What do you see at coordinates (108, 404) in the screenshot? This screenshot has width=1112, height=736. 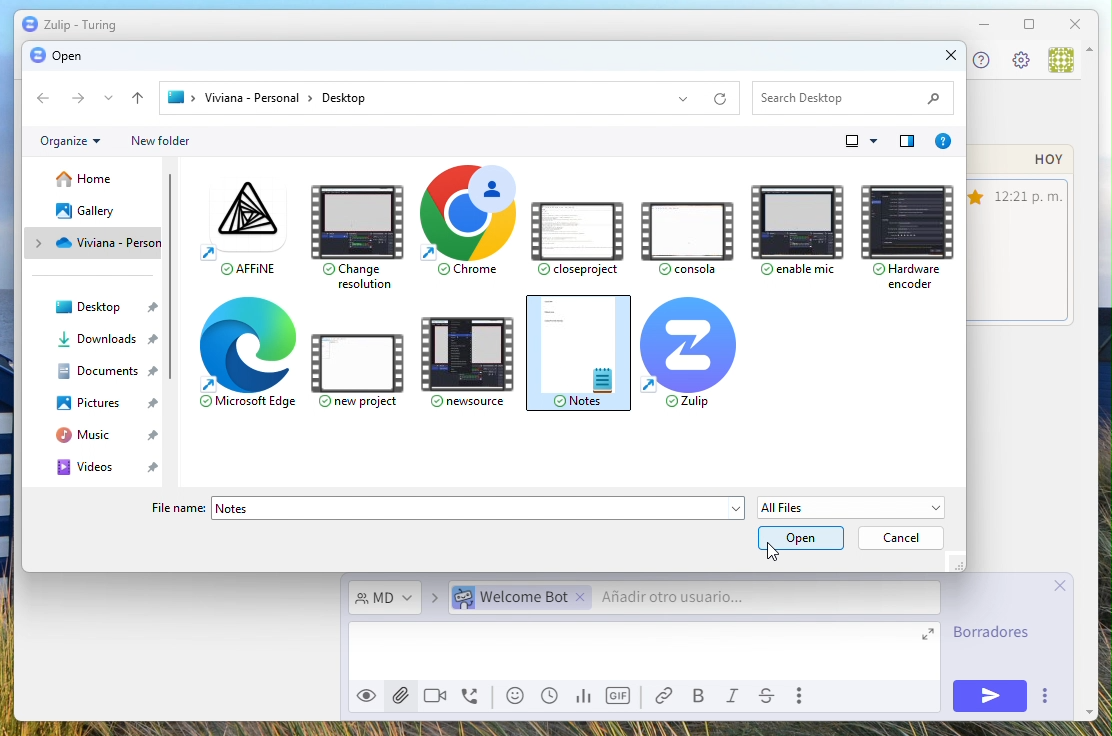 I see `Pictures` at bounding box center [108, 404].